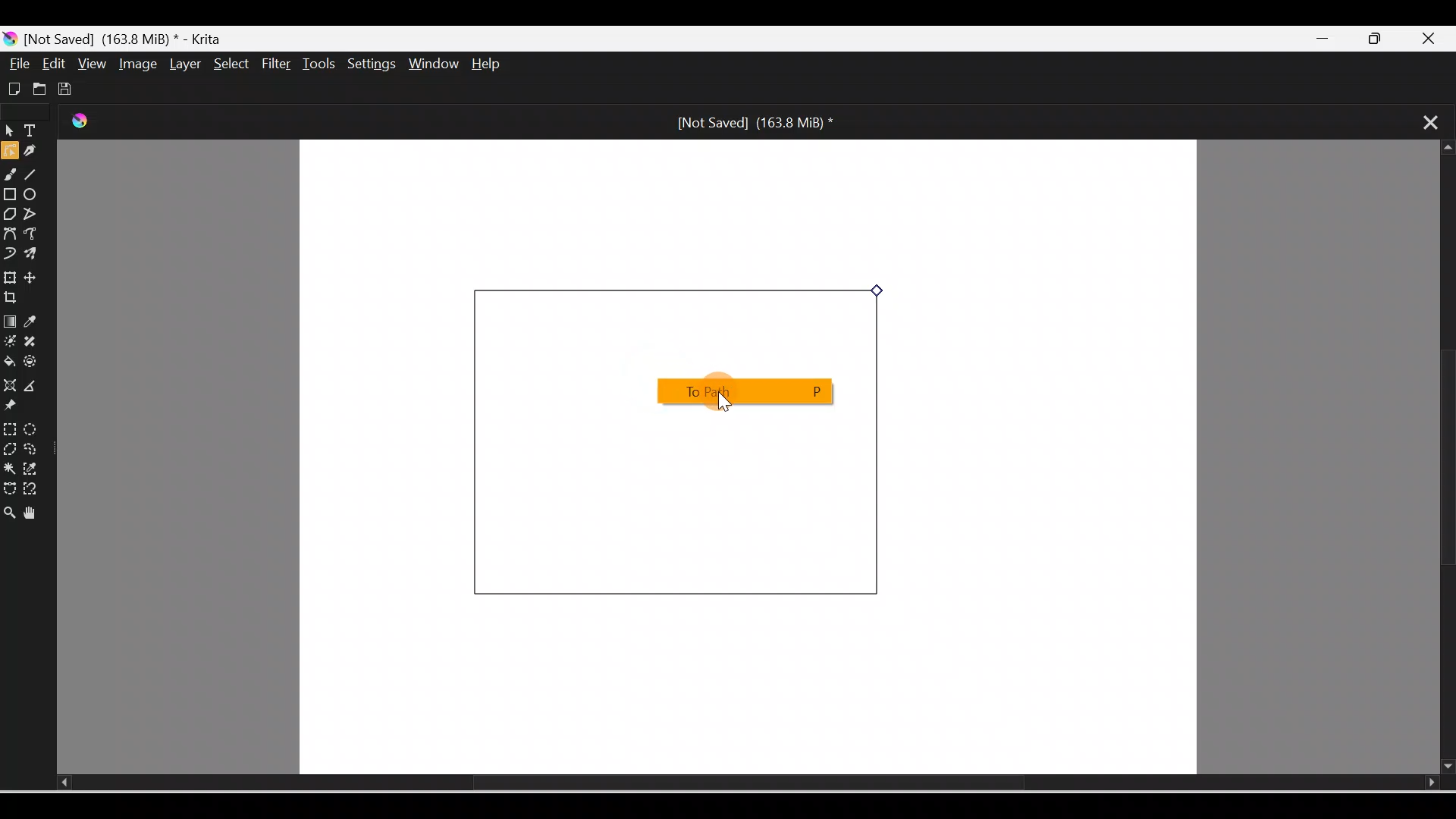 The height and width of the screenshot is (819, 1456). Describe the element at coordinates (36, 322) in the screenshot. I see `Sample a color from image/current layer` at that location.